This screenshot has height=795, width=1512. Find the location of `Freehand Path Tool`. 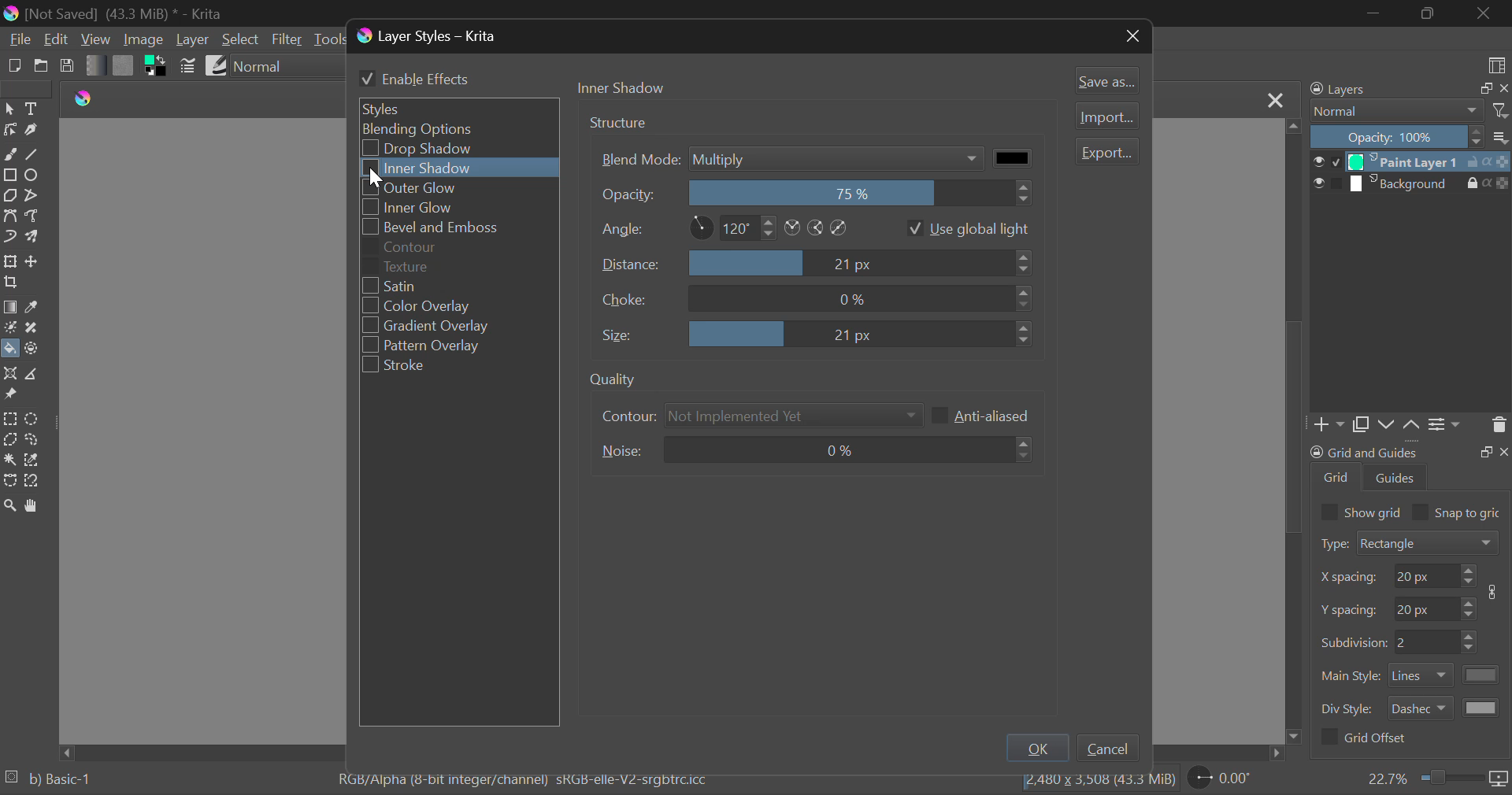

Freehand Path Tool is located at coordinates (33, 215).